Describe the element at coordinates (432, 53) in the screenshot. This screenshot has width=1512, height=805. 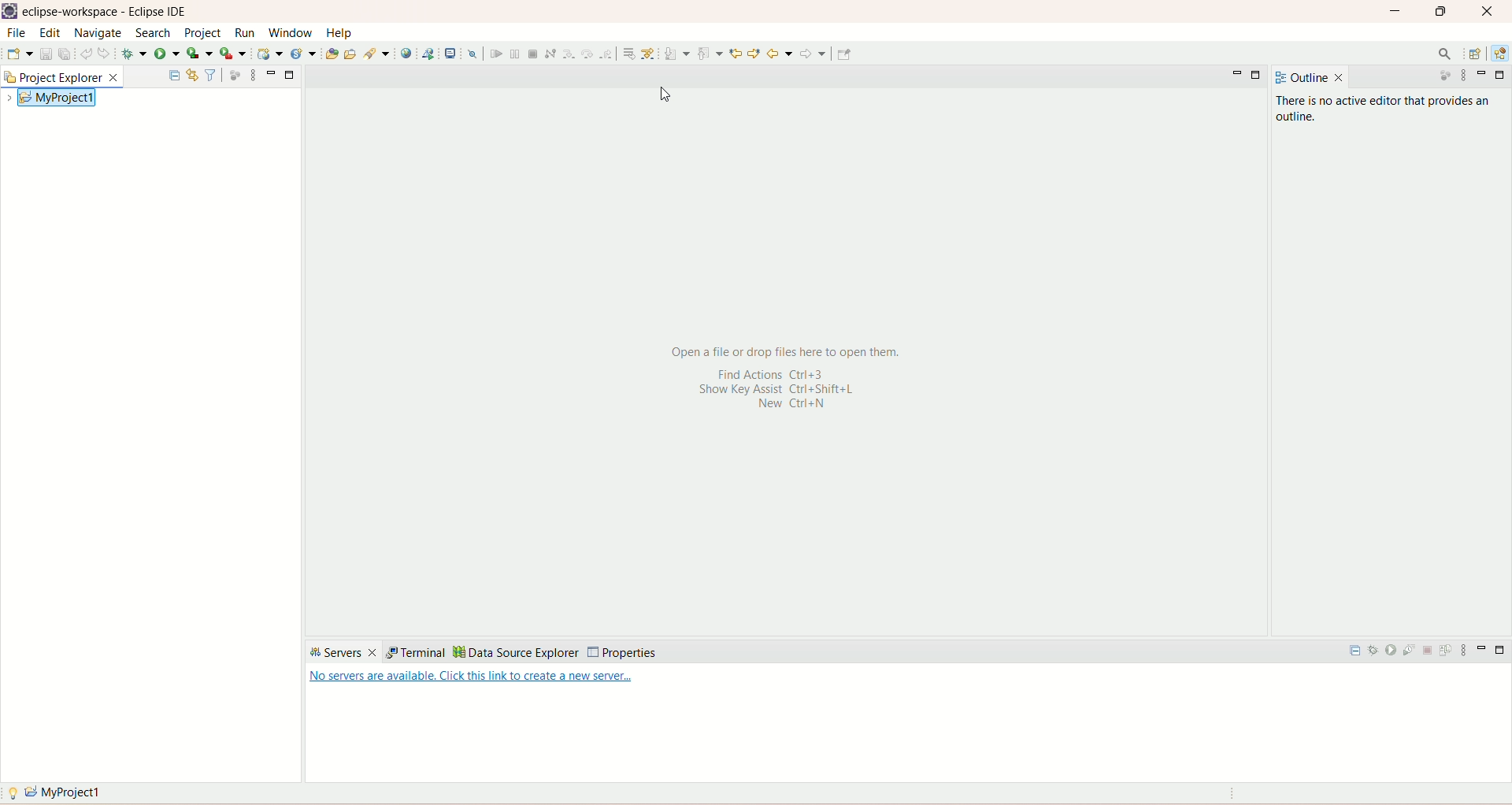
I see `launch a web service project` at that location.